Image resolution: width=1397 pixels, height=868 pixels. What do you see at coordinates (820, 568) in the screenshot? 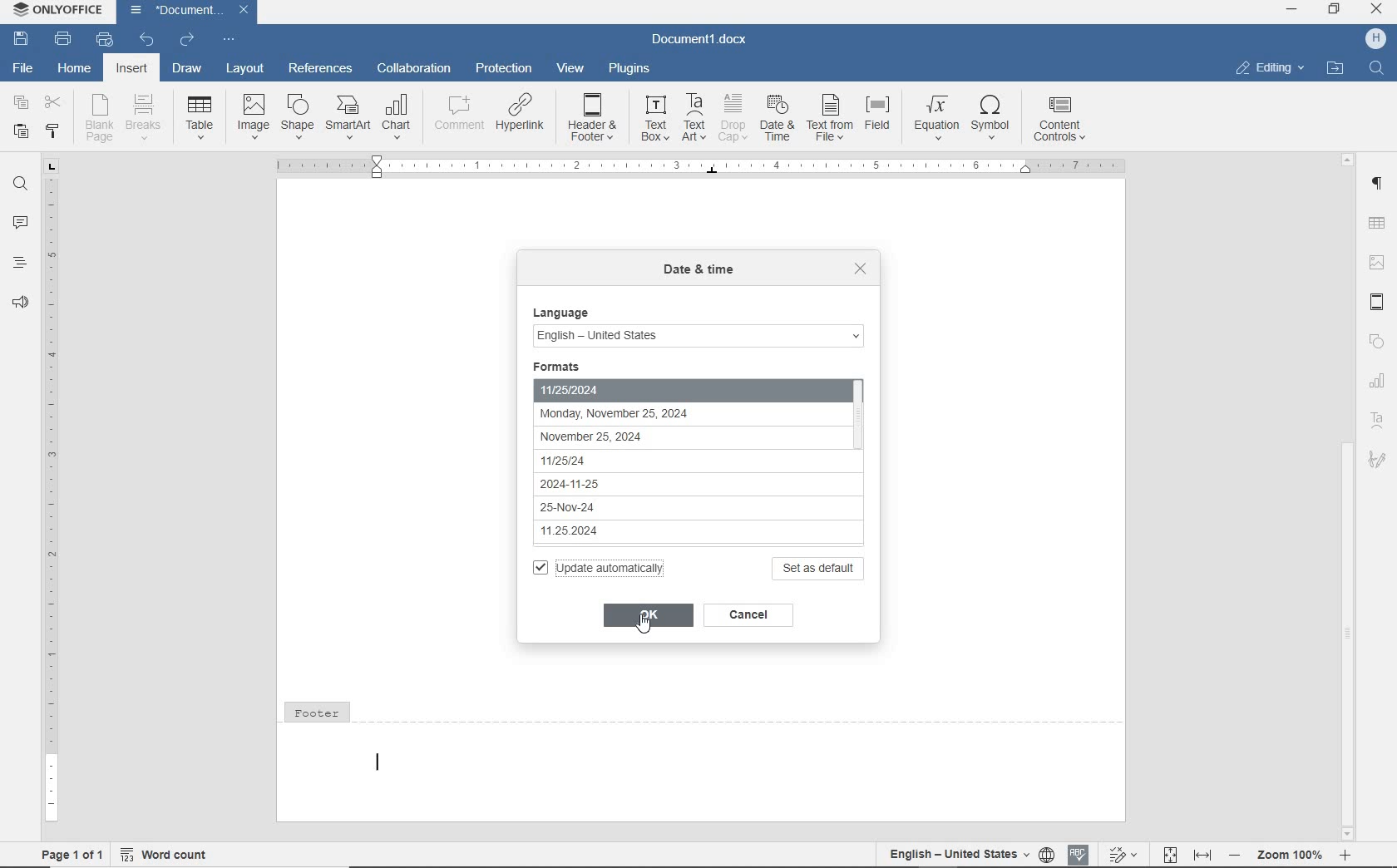
I see `set as default` at bounding box center [820, 568].